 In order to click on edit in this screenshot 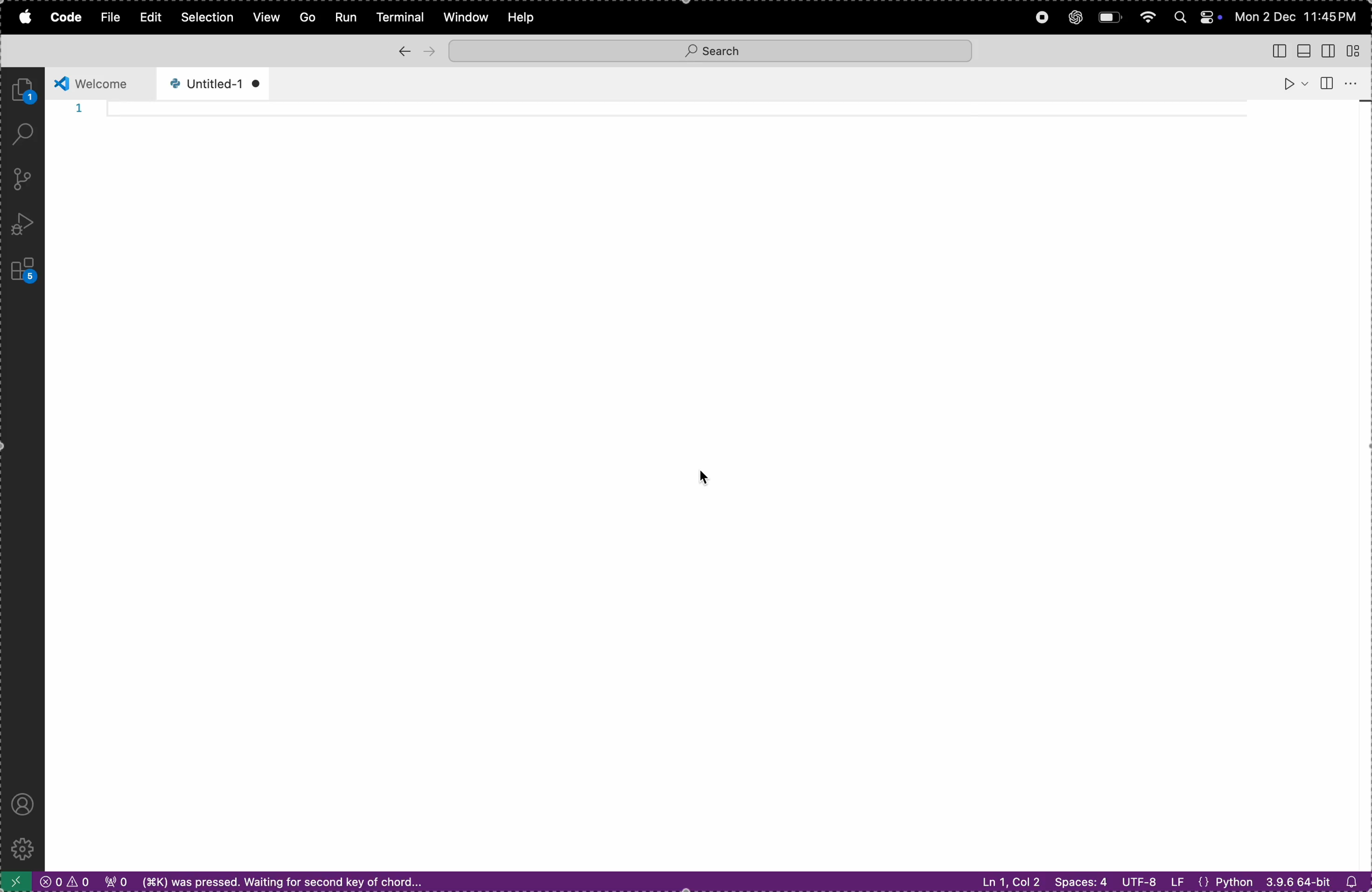, I will do `click(148, 18)`.